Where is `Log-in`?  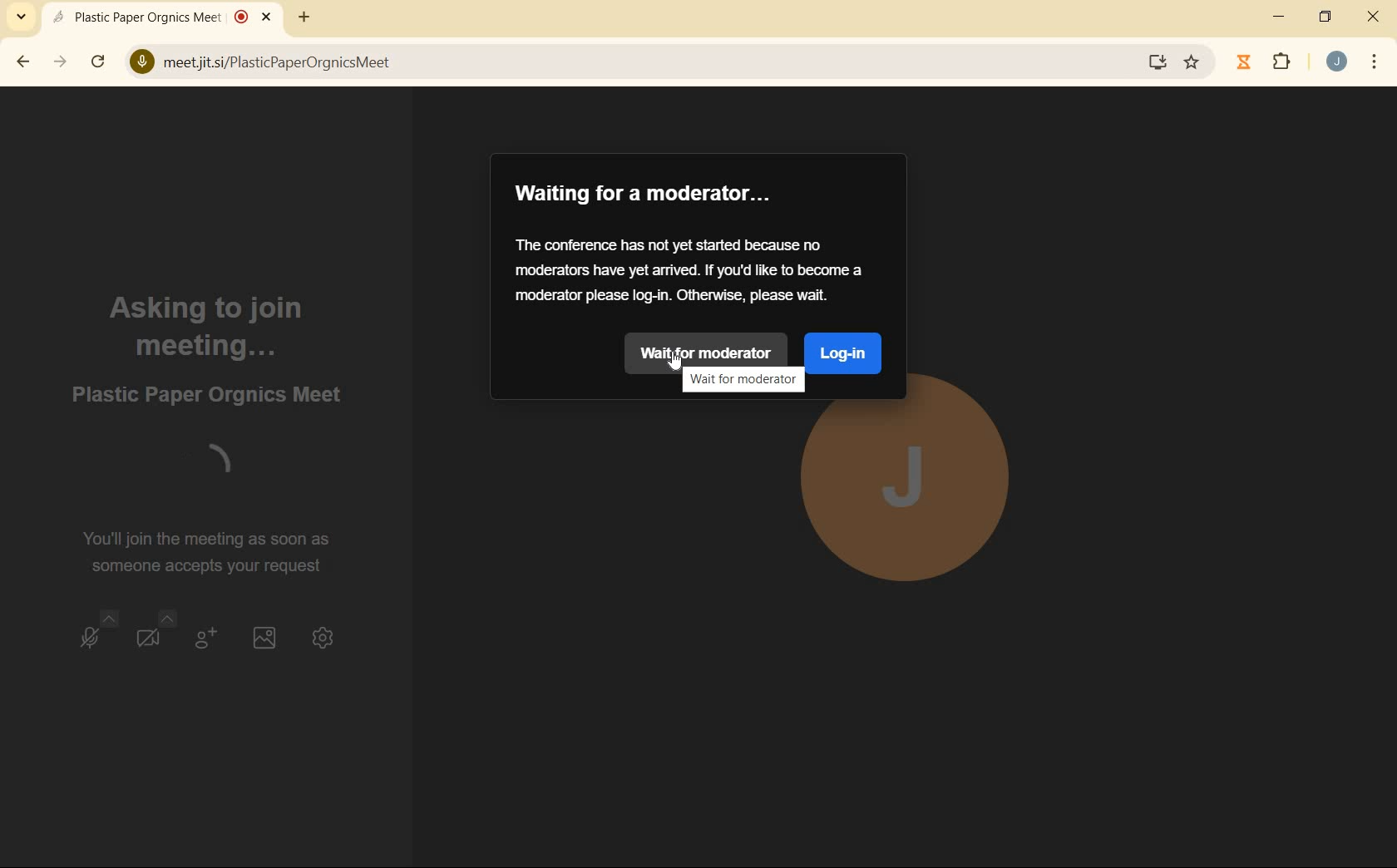
Log-in is located at coordinates (842, 353).